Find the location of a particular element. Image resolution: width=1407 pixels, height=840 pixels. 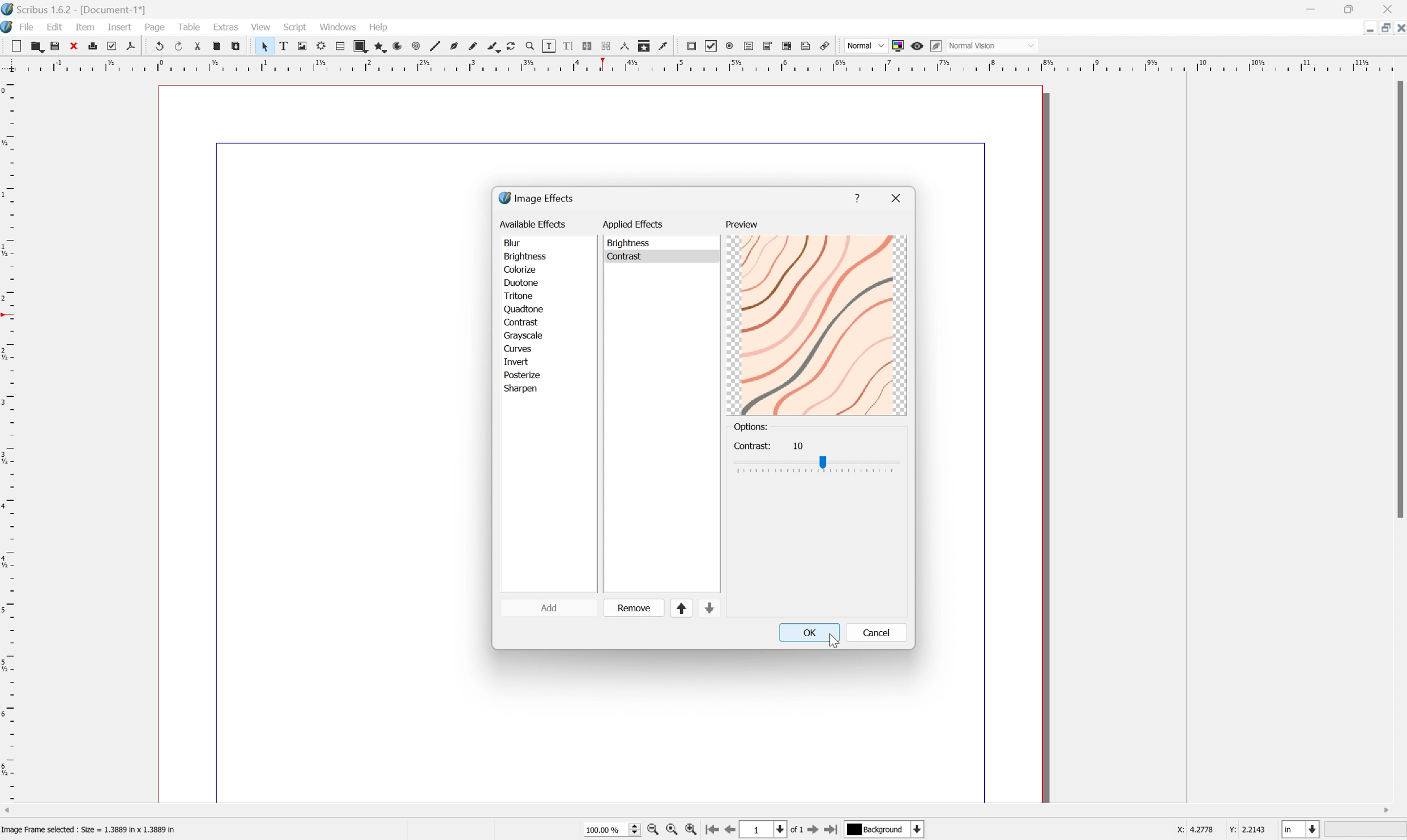

Bezier curve is located at coordinates (457, 44).